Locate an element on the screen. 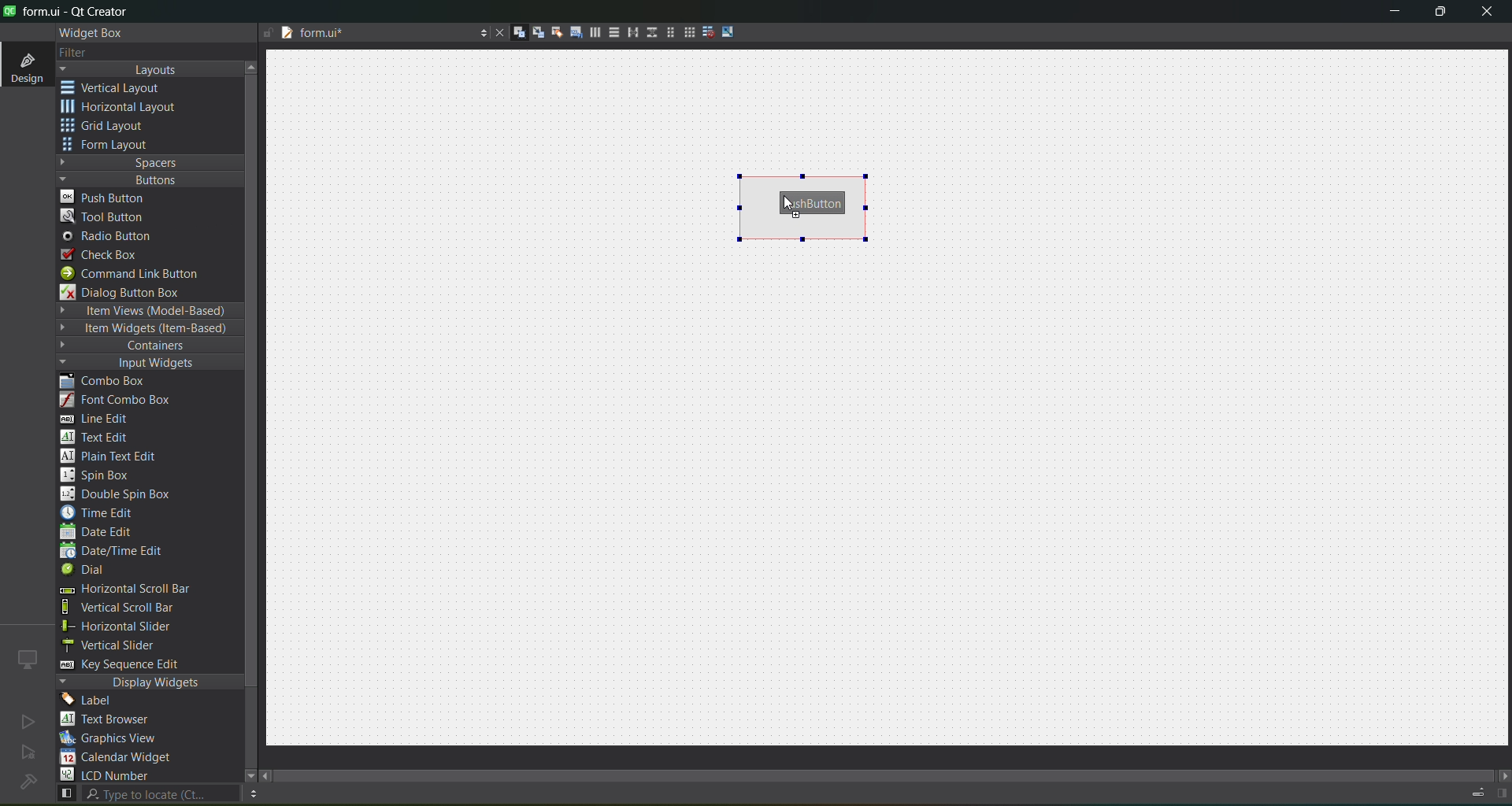 This screenshot has height=806, width=1512. layout horizontally is located at coordinates (590, 35).